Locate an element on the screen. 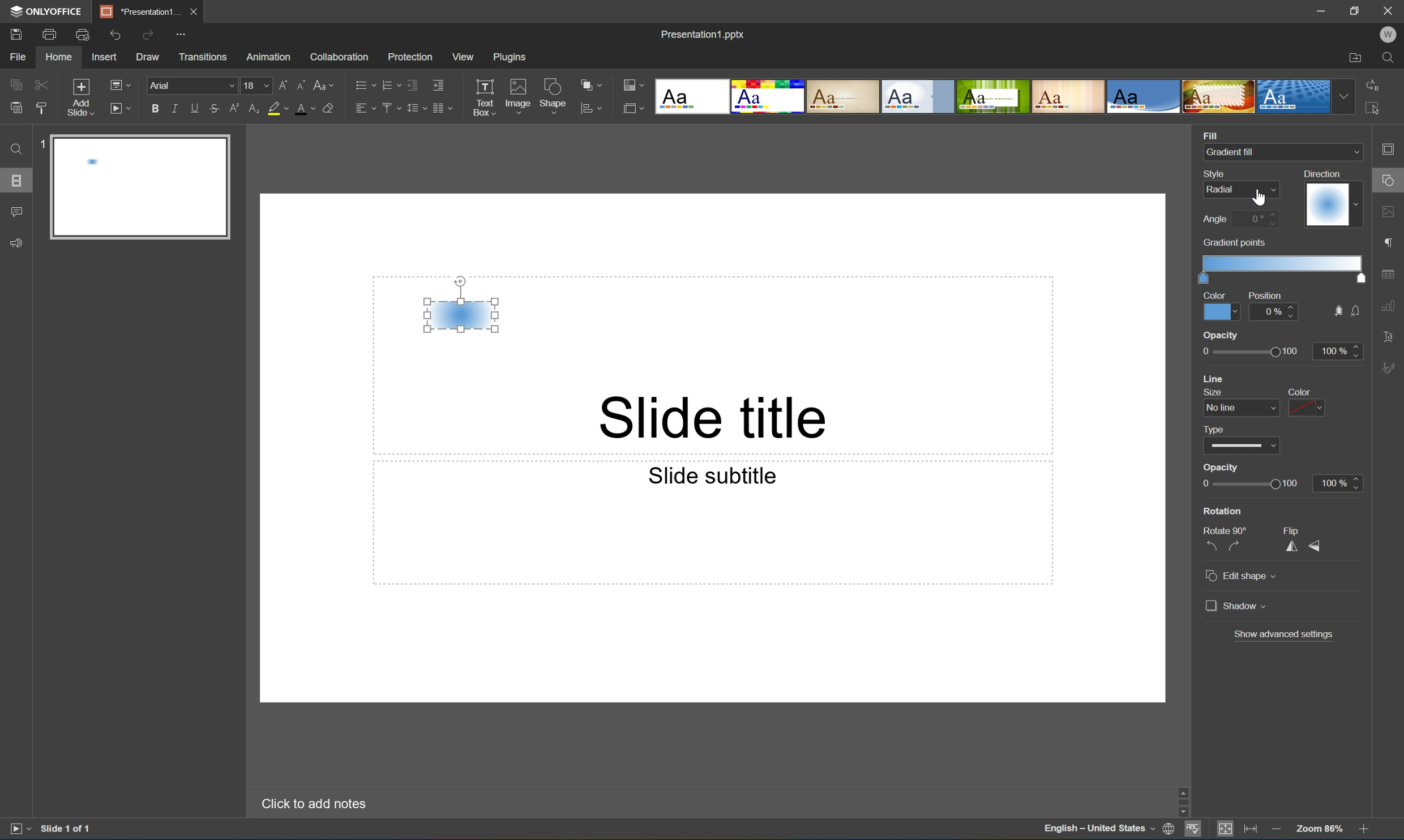 The width and height of the screenshot is (1404, 840). Insert columns is located at coordinates (442, 108).